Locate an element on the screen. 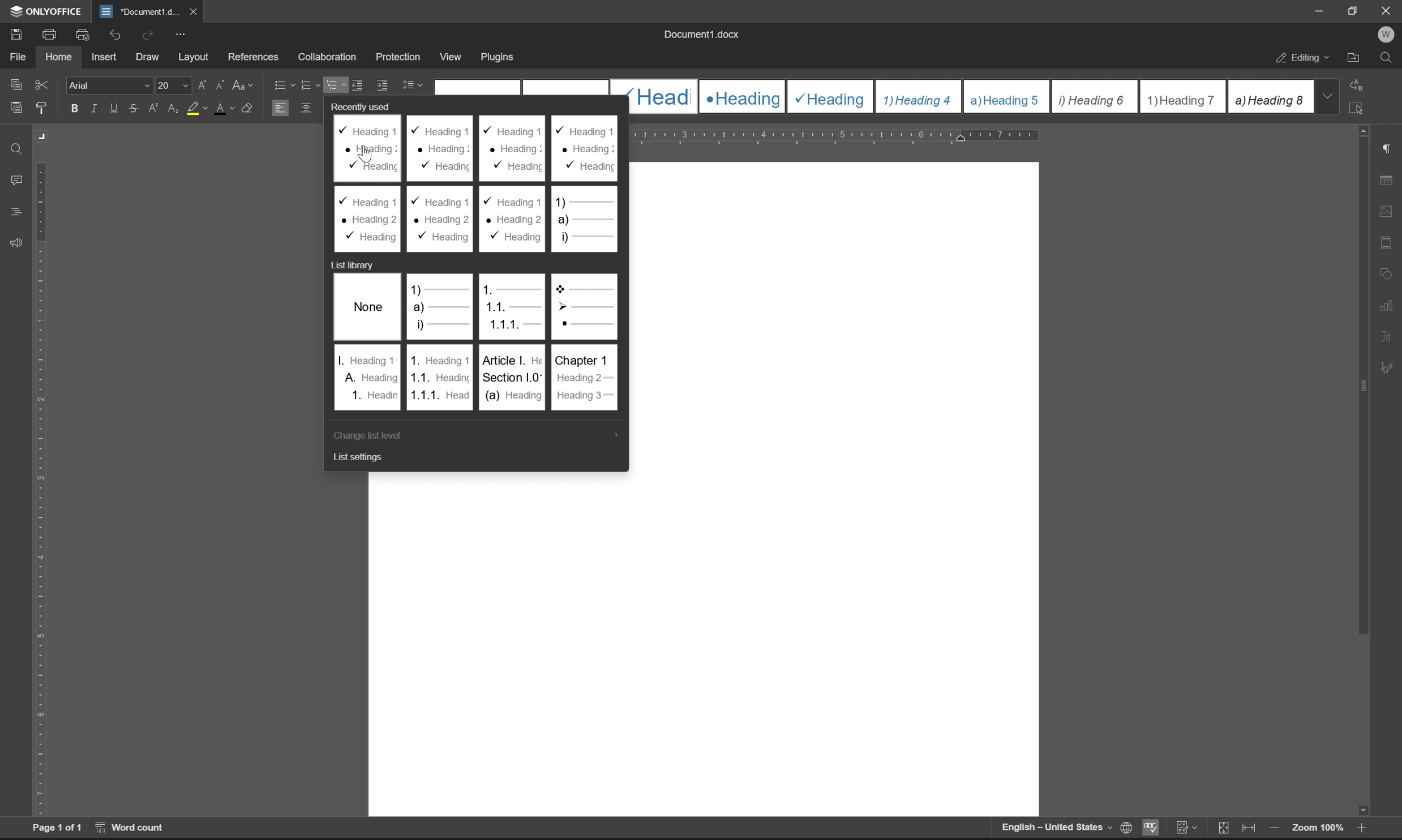 The image size is (1402, 840). chart settings is located at coordinates (1387, 302).